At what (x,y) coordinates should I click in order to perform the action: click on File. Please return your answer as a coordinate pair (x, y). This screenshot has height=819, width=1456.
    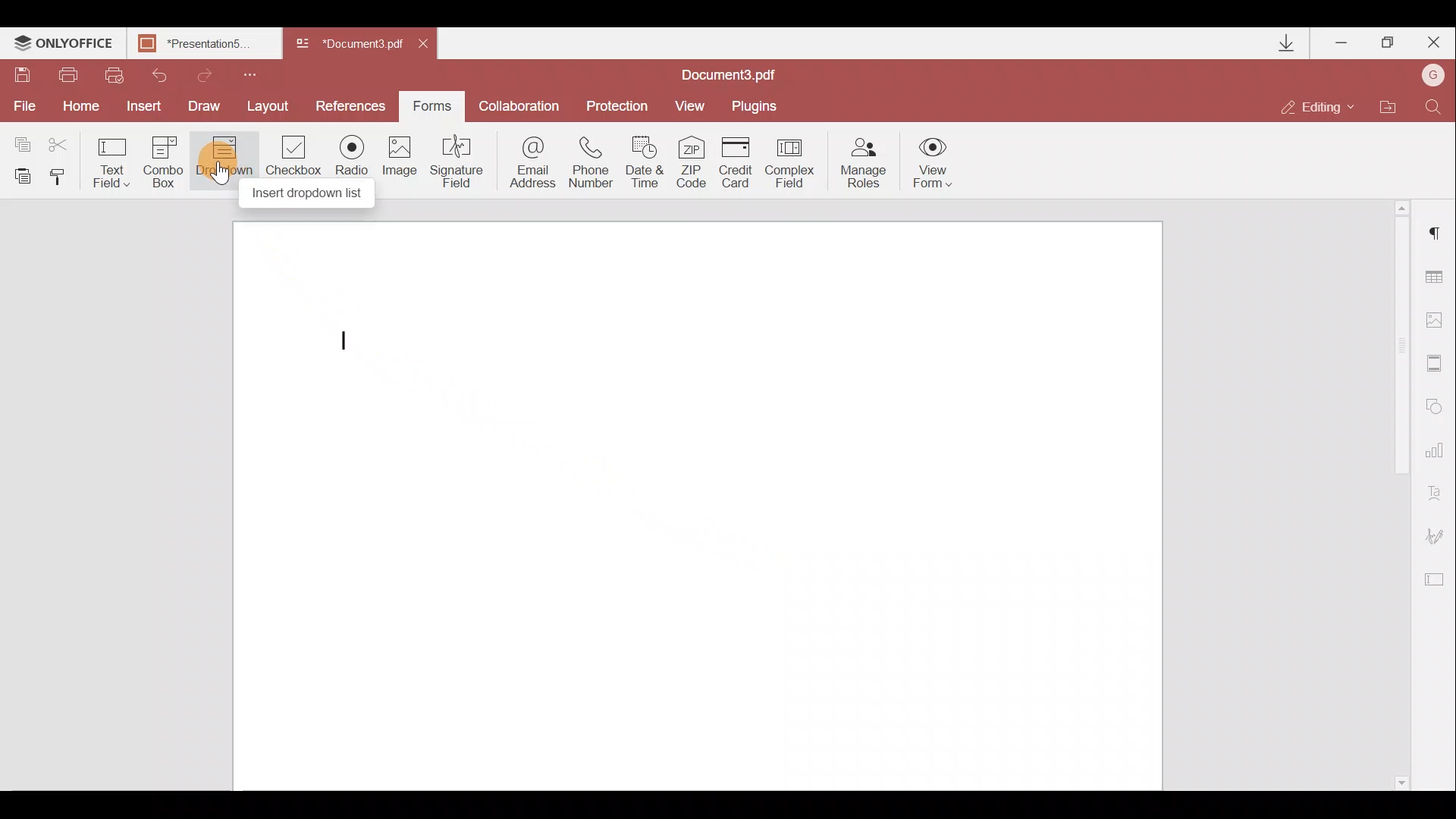
    Looking at the image, I should click on (26, 108).